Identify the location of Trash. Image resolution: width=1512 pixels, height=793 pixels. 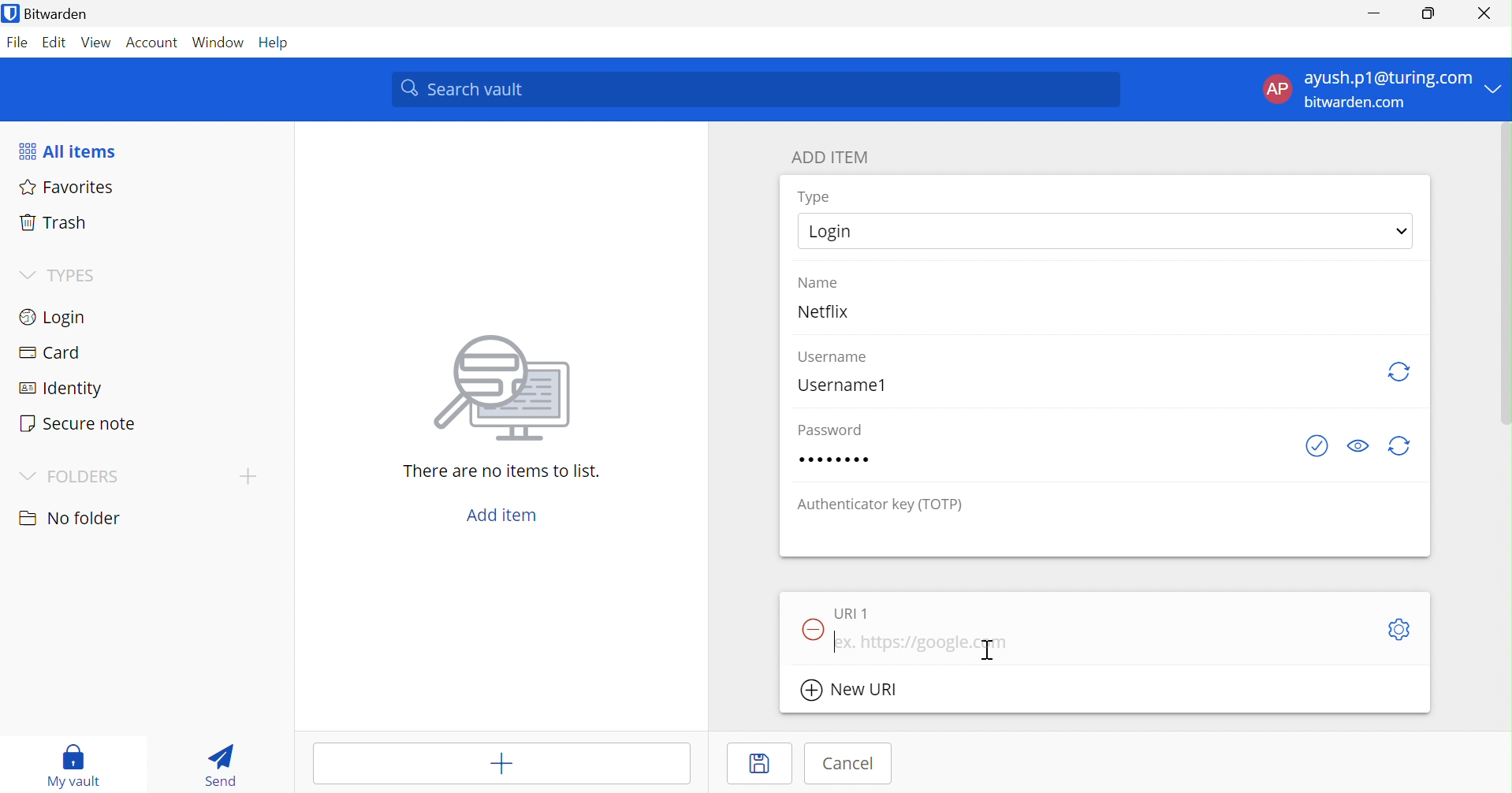
(52, 222).